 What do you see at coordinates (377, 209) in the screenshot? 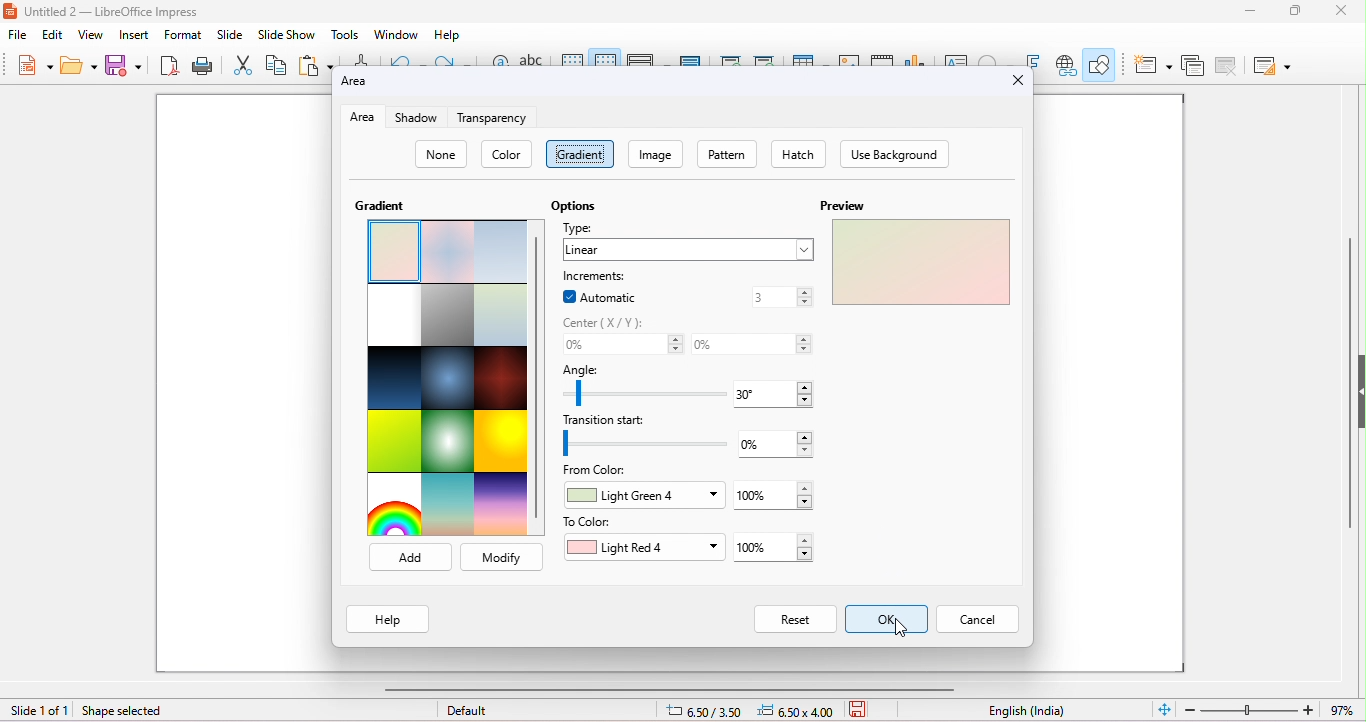
I see `gradient` at bounding box center [377, 209].